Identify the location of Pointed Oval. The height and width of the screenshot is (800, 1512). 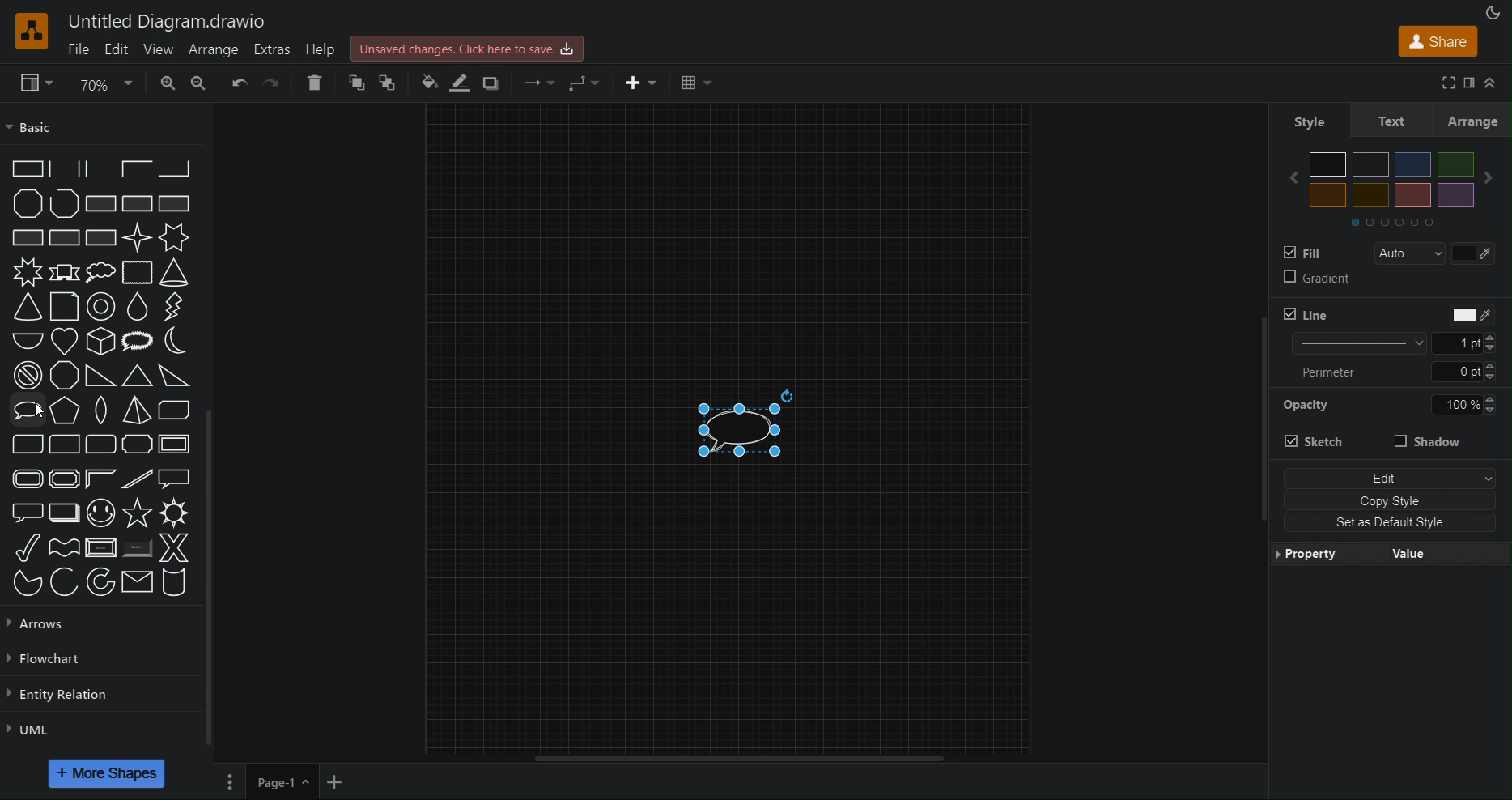
(101, 410).